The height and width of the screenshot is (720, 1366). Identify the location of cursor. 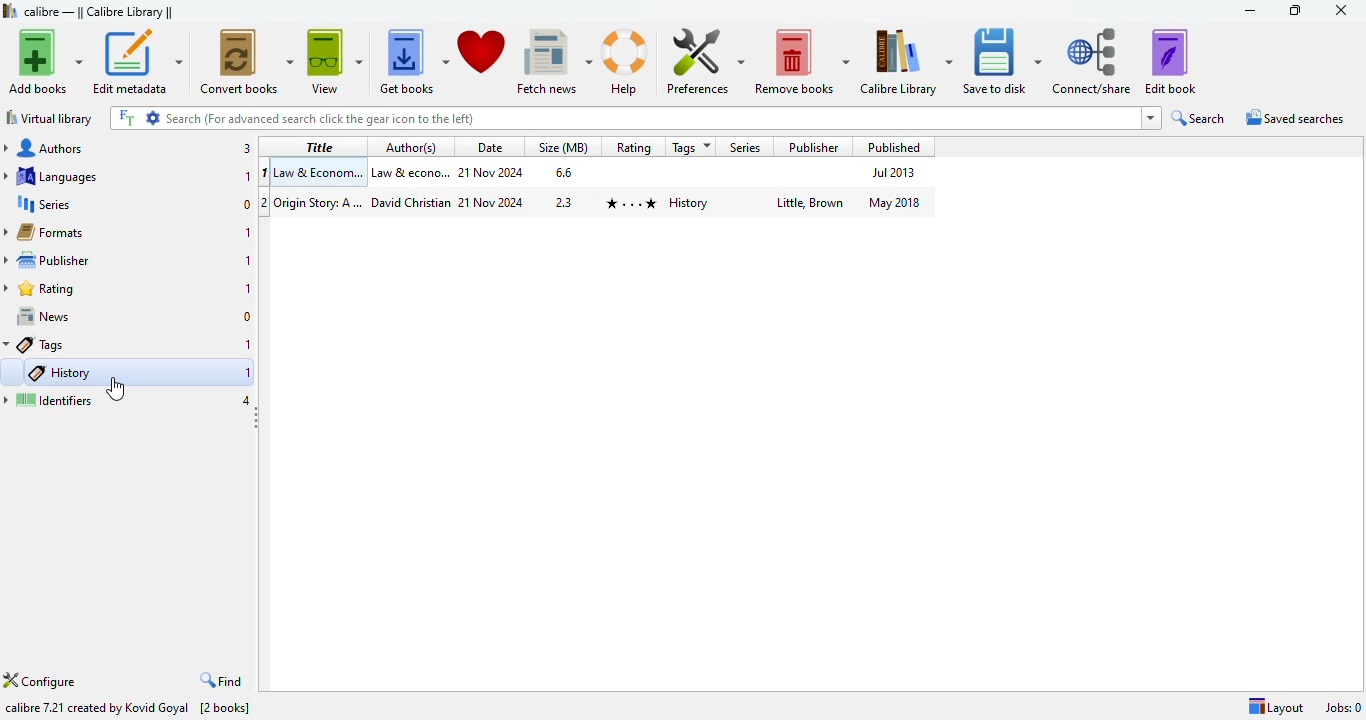
(116, 388).